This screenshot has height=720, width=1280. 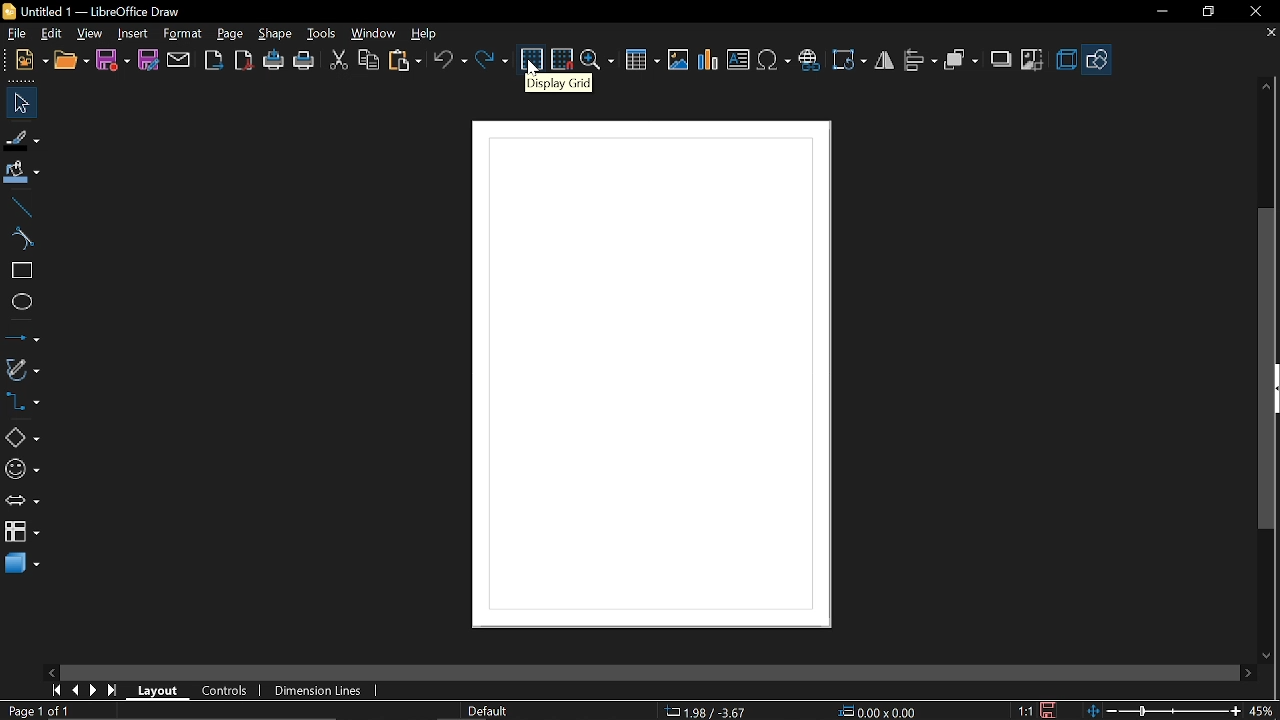 What do you see at coordinates (21, 271) in the screenshot?
I see `rectangle` at bounding box center [21, 271].